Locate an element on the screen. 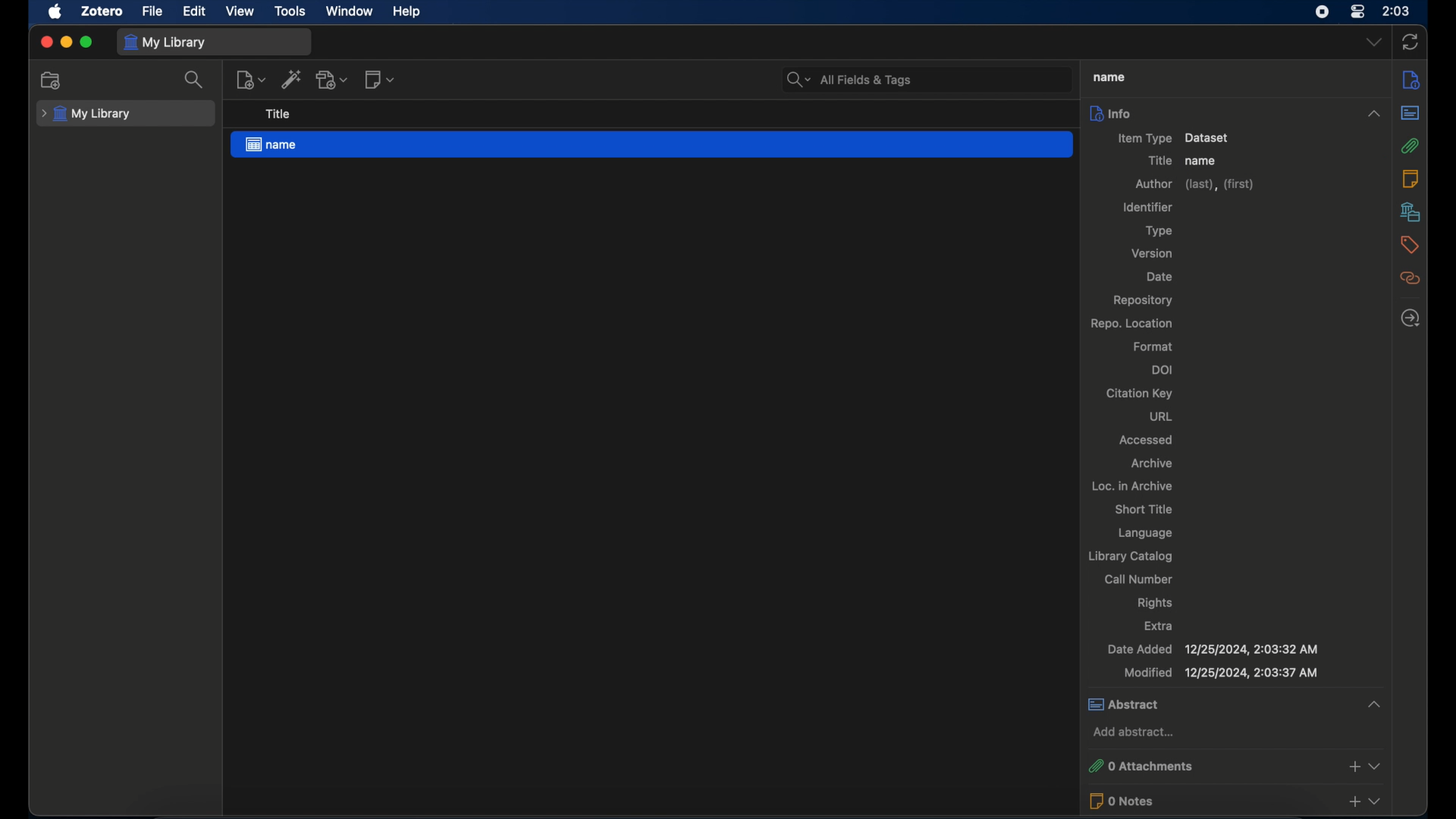 The height and width of the screenshot is (819, 1456). notes is located at coordinates (1410, 178).